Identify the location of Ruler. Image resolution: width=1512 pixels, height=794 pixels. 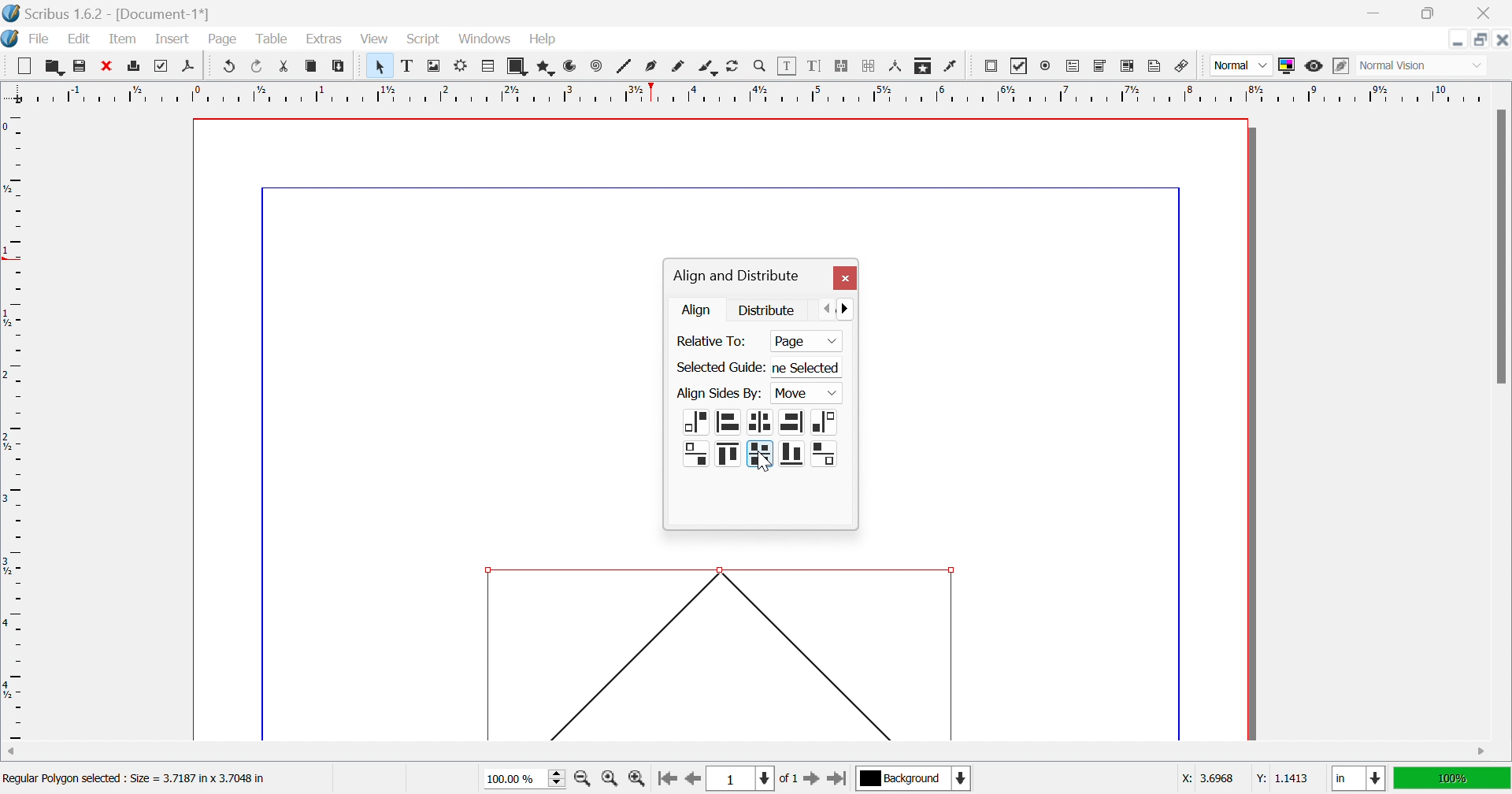
(14, 425).